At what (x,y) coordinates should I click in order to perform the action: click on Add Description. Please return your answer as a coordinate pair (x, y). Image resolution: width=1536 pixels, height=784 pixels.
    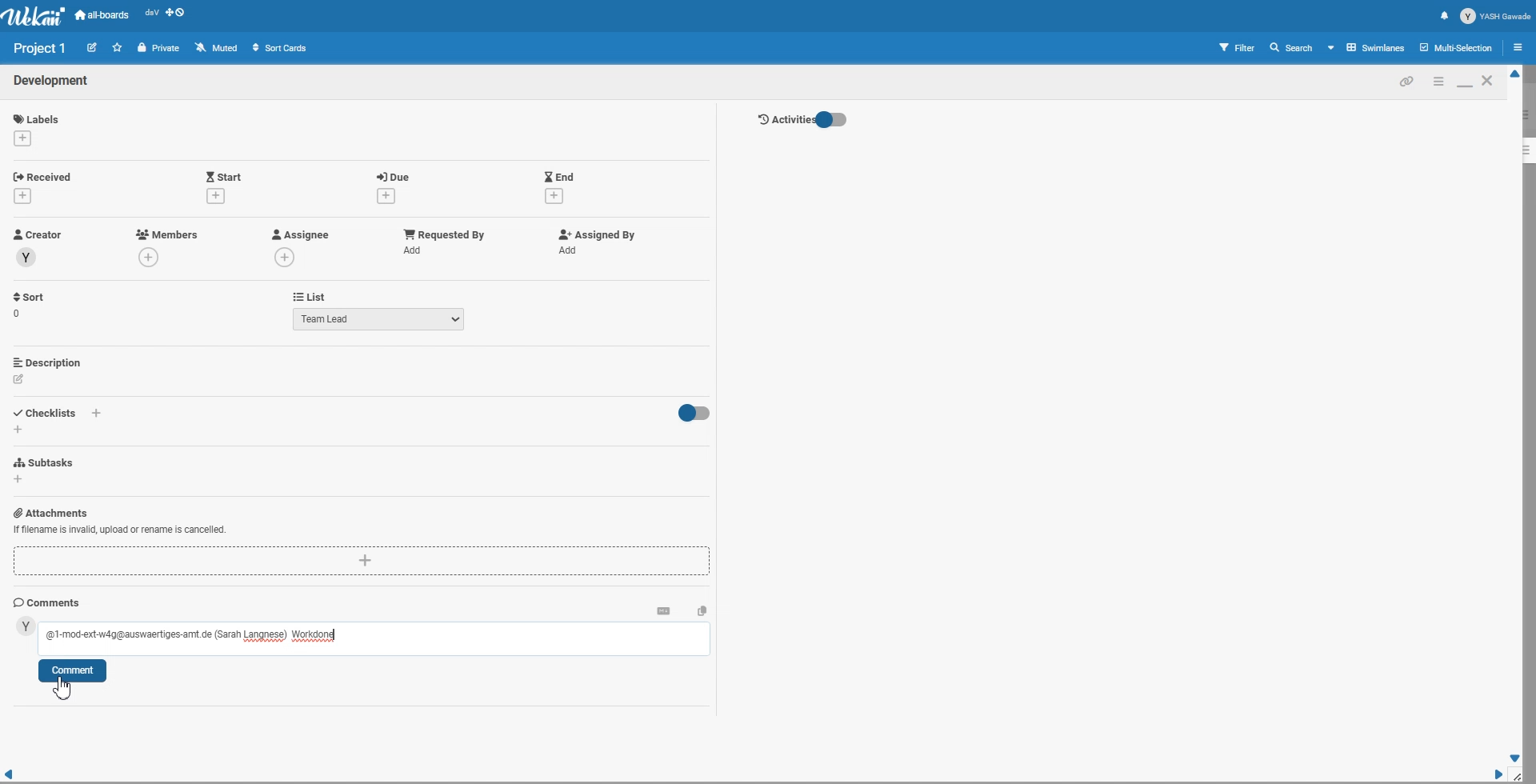
    Looking at the image, I should click on (49, 362).